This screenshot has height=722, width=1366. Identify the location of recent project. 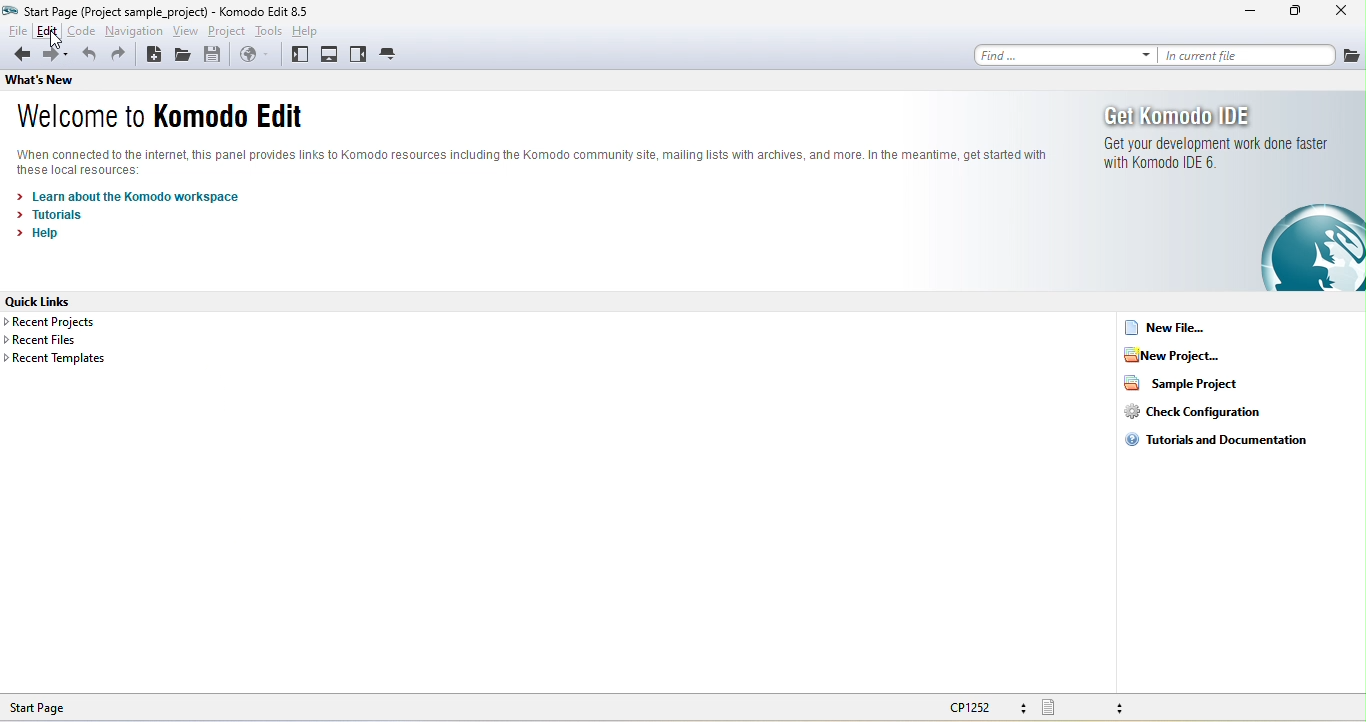
(64, 321).